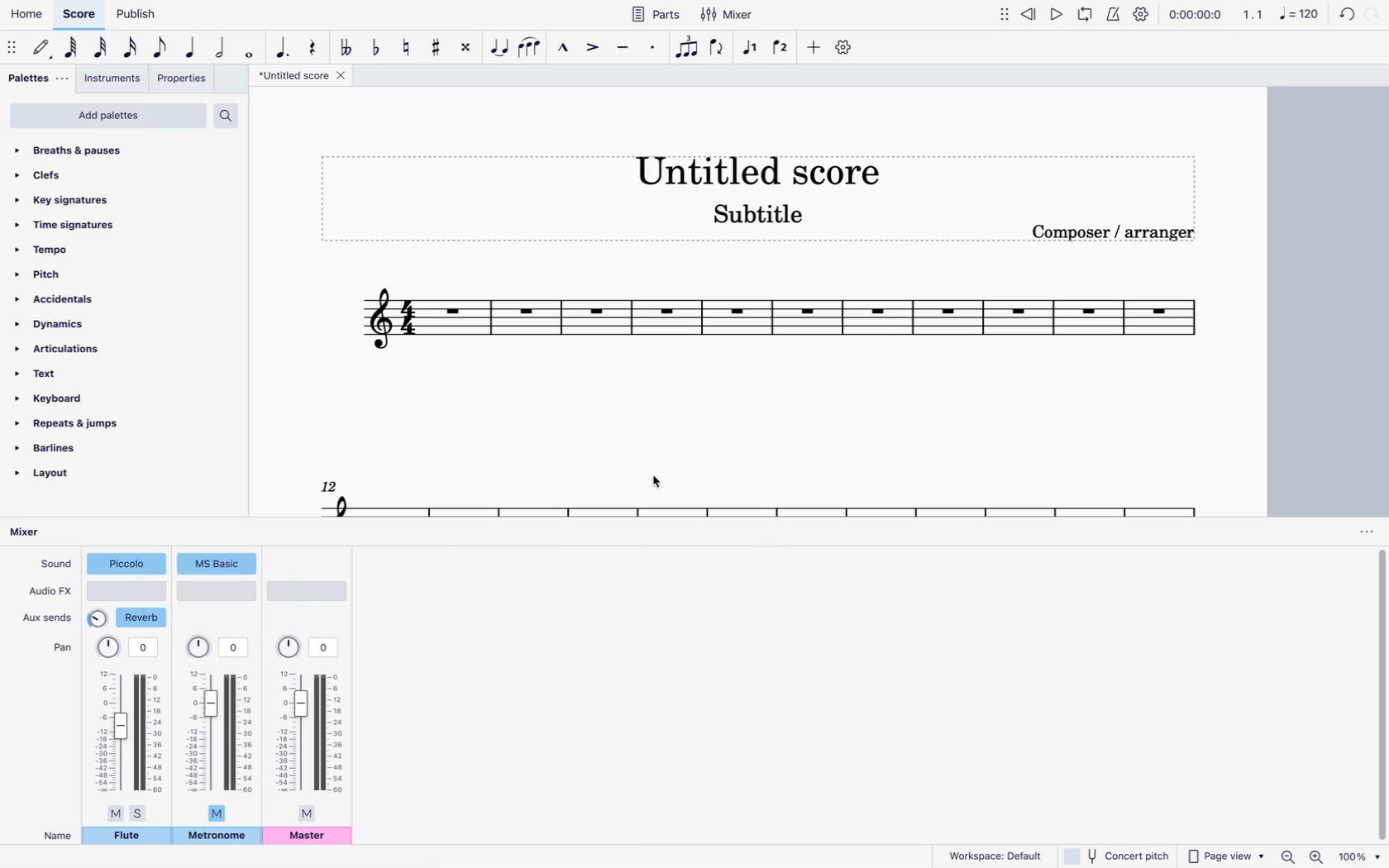 This screenshot has width=1389, height=868. I want to click on play, so click(1058, 13).